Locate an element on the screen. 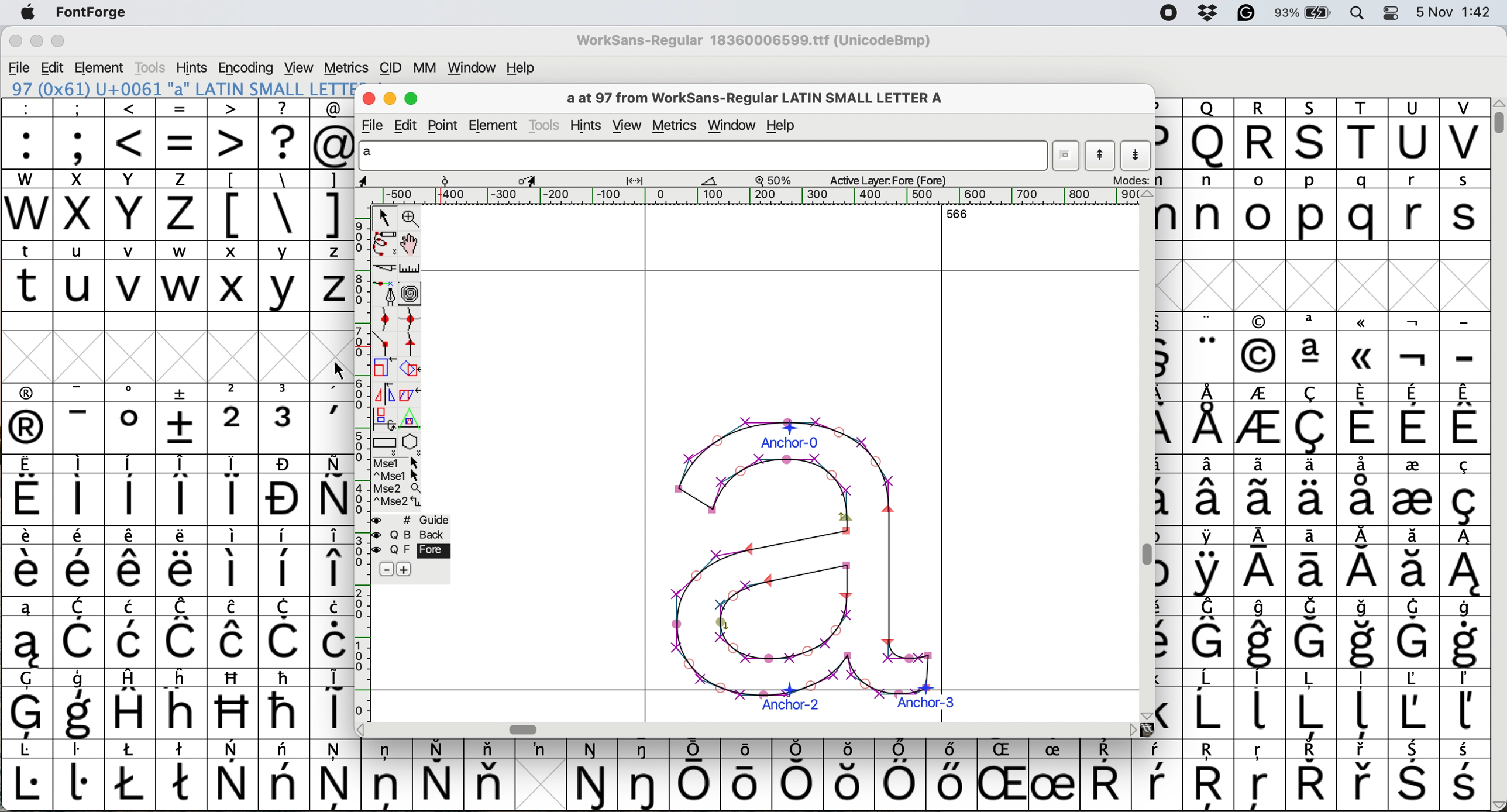  z is located at coordinates (181, 204).